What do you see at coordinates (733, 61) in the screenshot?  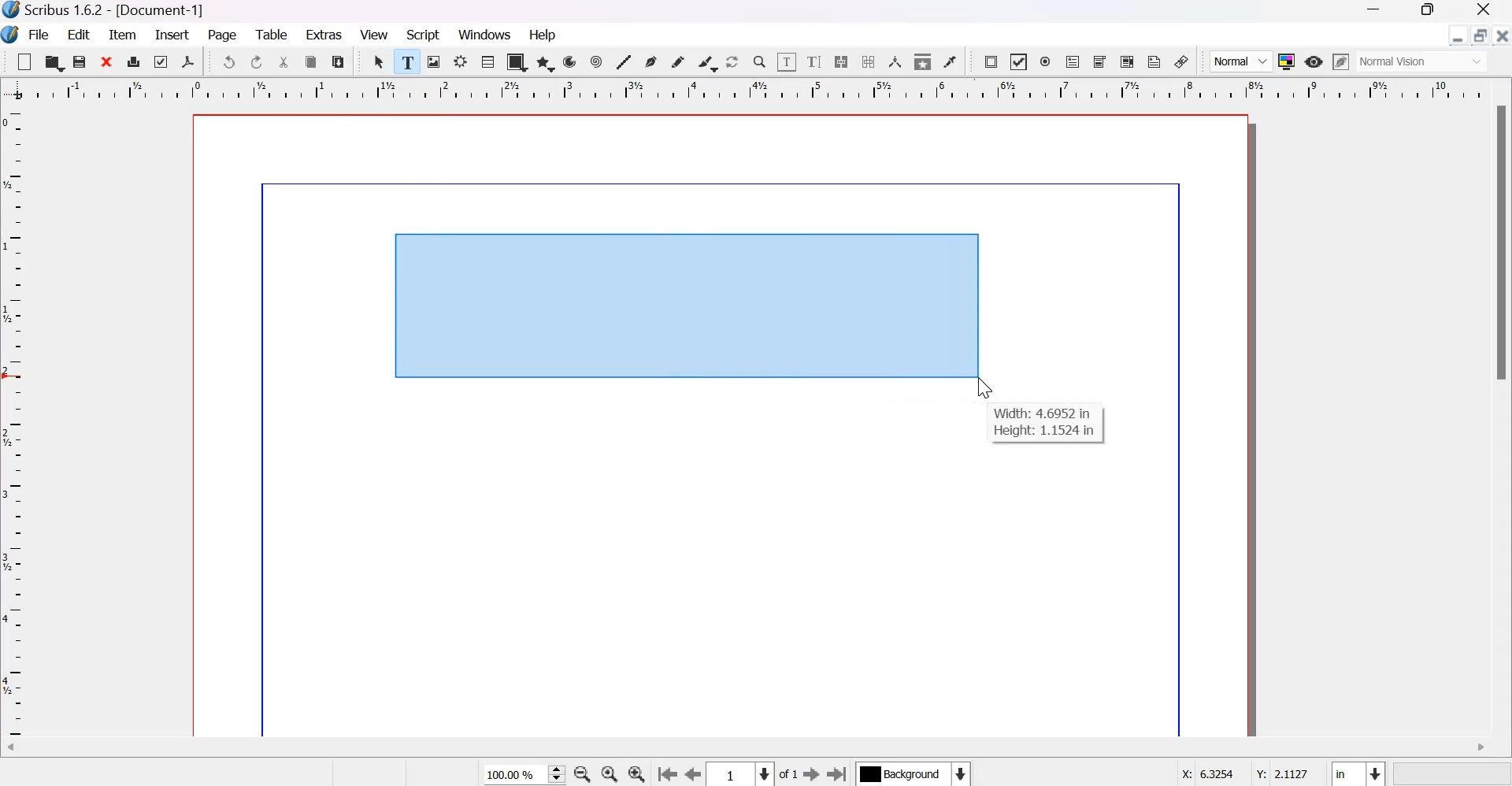 I see `` at bounding box center [733, 61].